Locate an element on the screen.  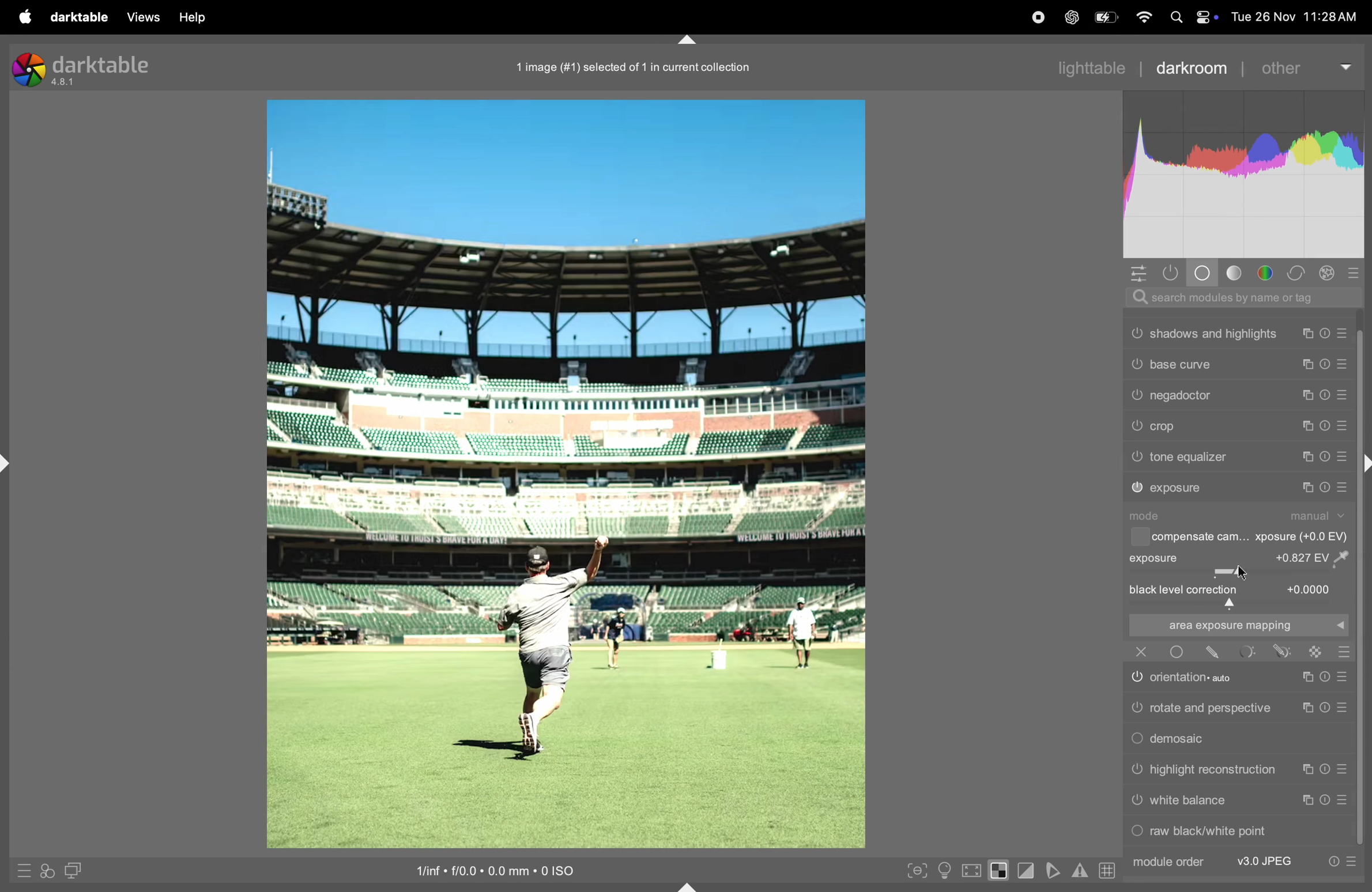
reset Presets is located at coordinates (1332, 862).